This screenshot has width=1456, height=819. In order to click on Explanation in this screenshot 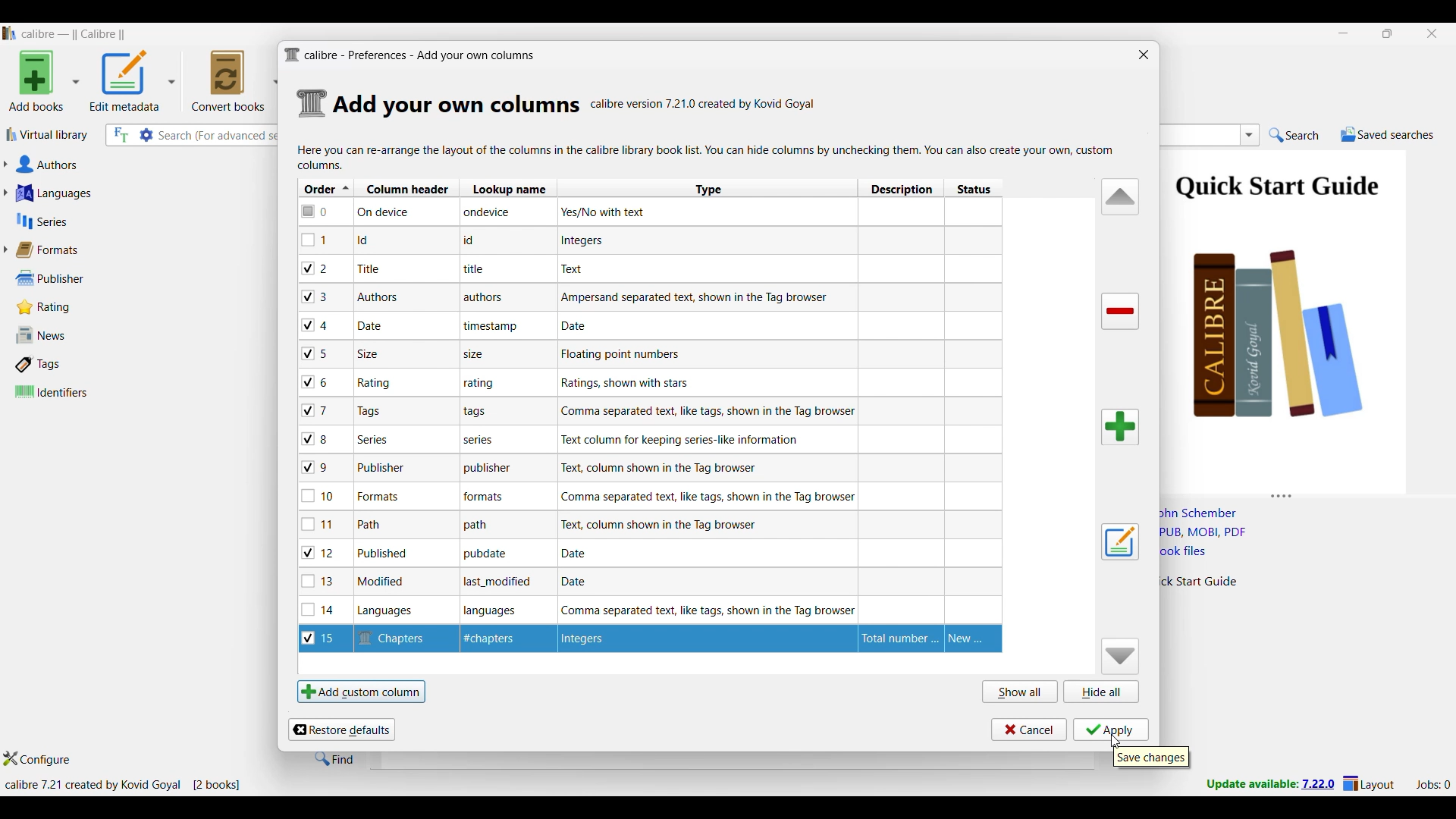, I will do `click(621, 355)`.